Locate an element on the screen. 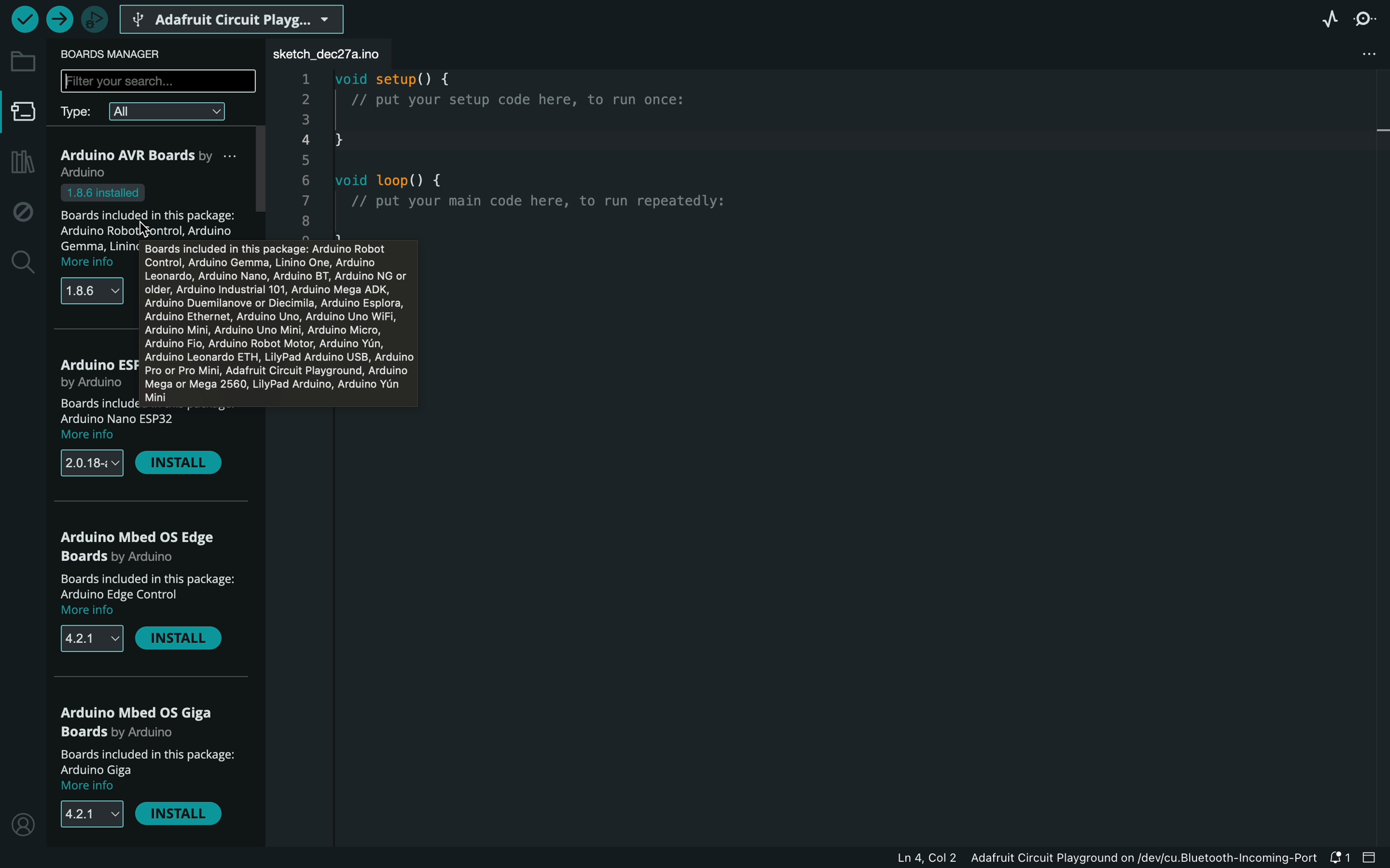  serial plotter is located at coordinates (1328, 22).